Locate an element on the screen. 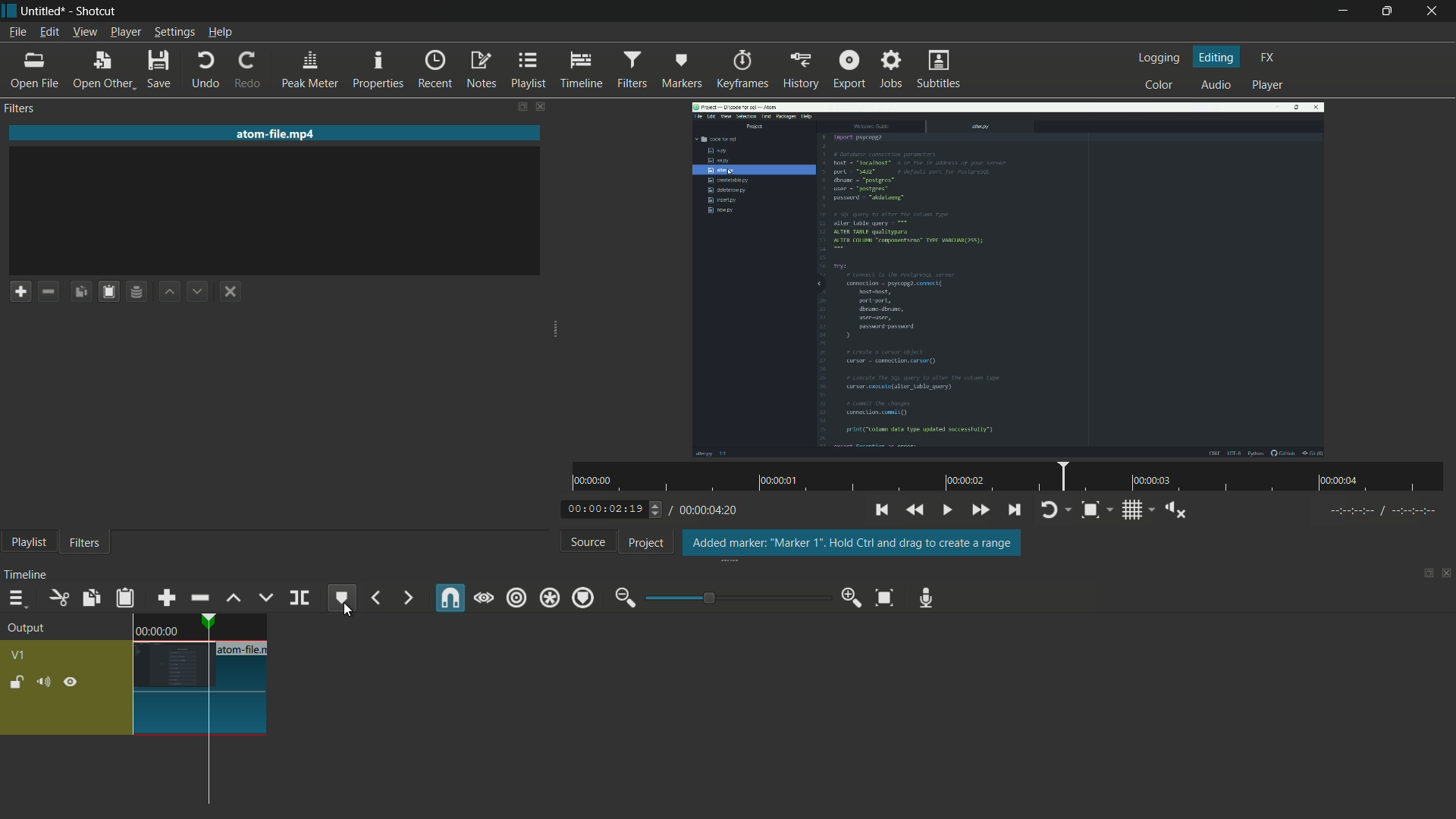 This screenshot has width=1456, height=819. help menu is located at coordinates (222, 32).